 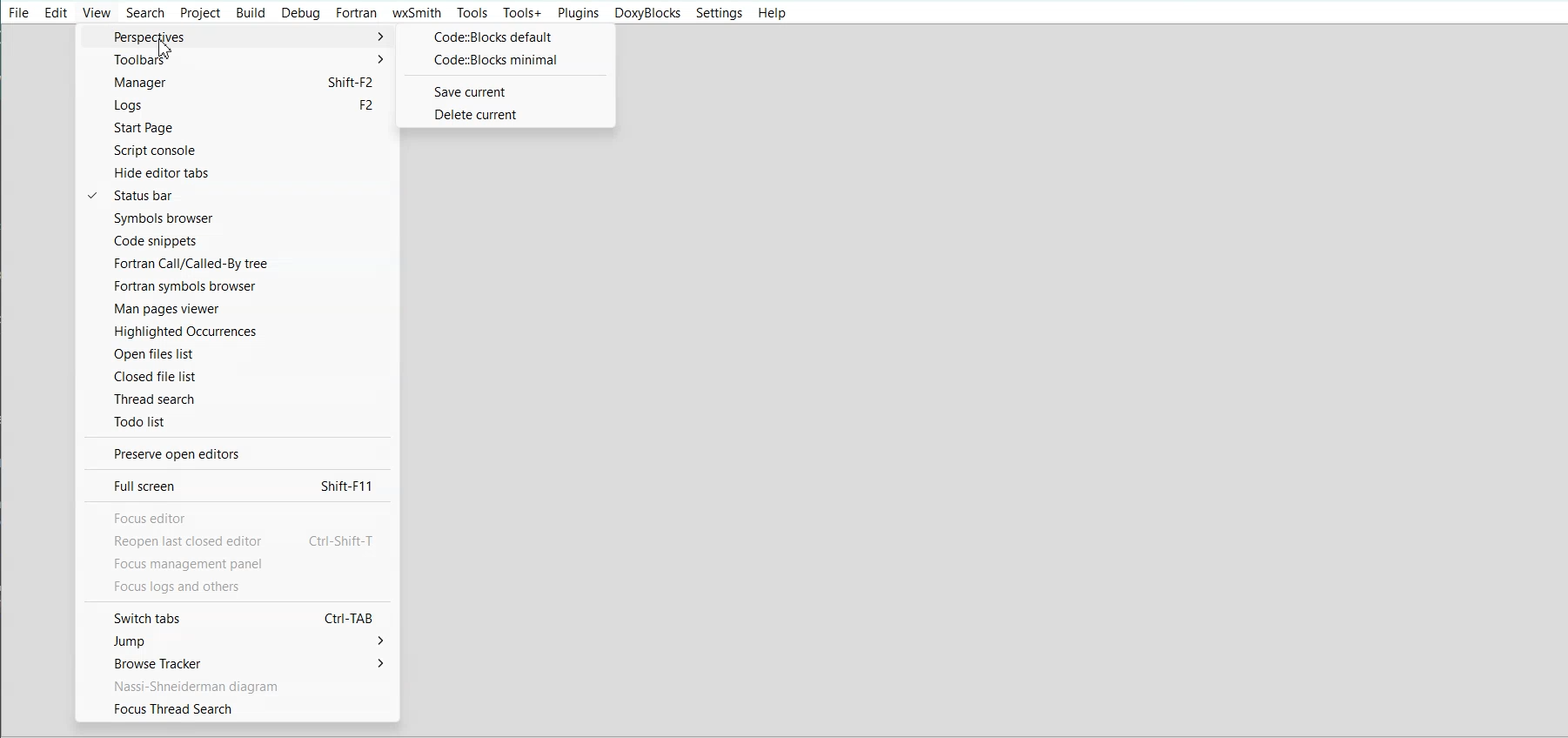 What do you see at coordinates (506, 90) in the screenshot?
I see `Save current` at bounding box center [506, 90].